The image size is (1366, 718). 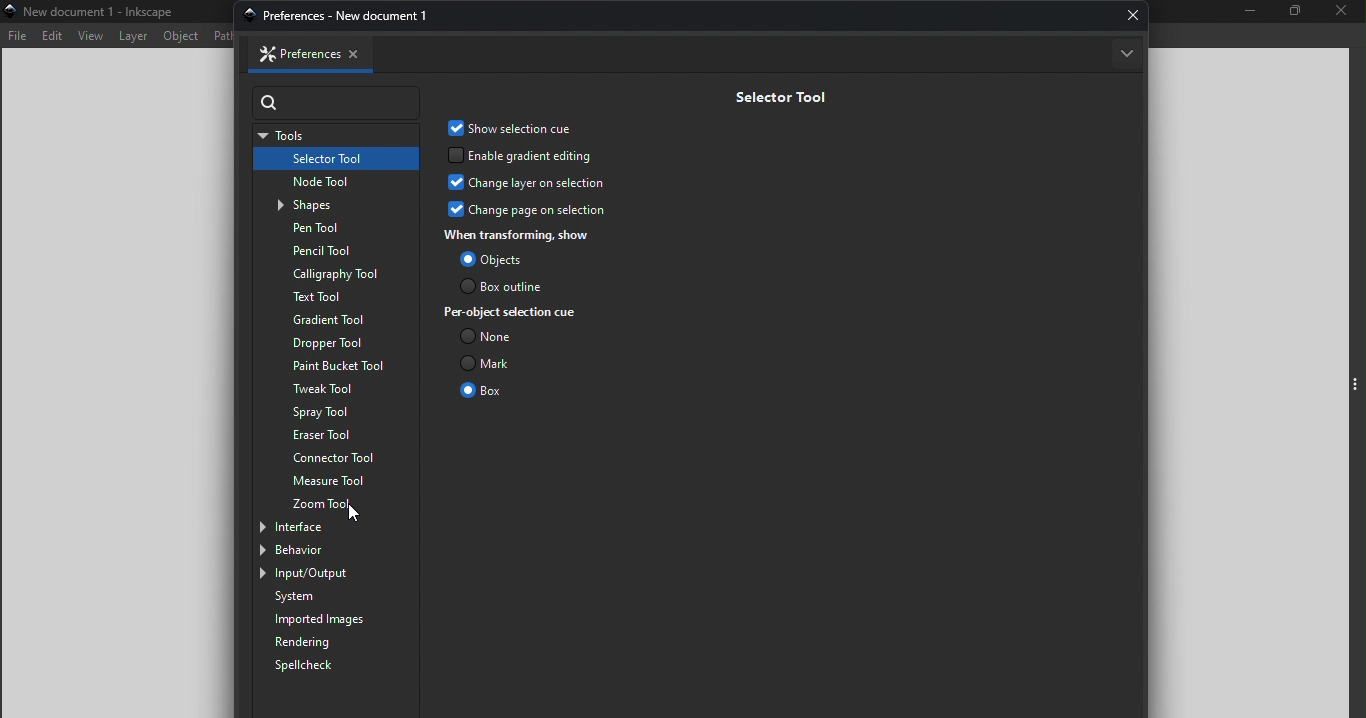 What do you see at coordinates (51, 35) in the screenshot?
I see `Edit` at bounding box center [51, 35].